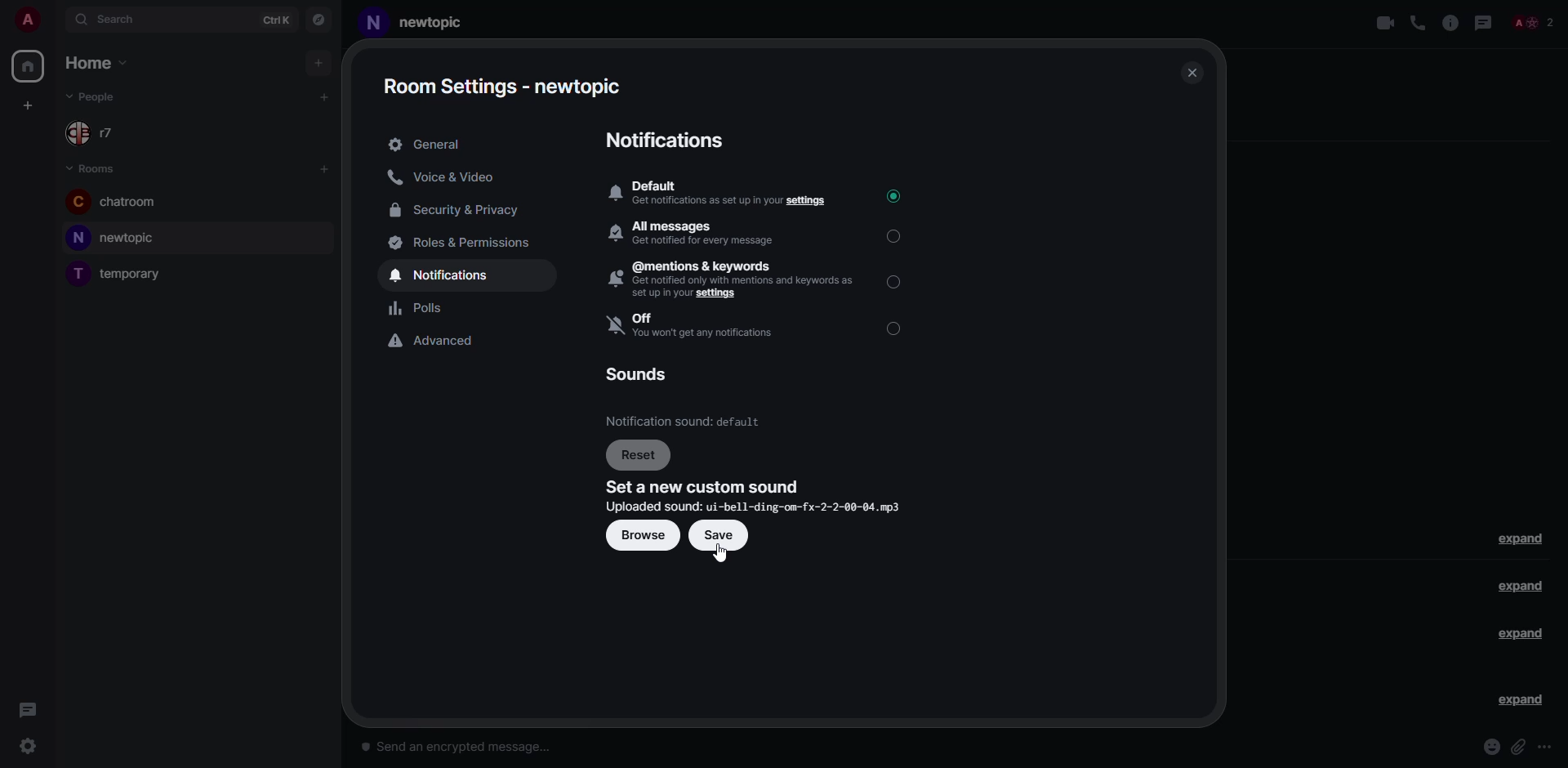  What do you see at coordinates (1450, 22) in the screenshot?
I see `info` at bounding box center [1450, 22].